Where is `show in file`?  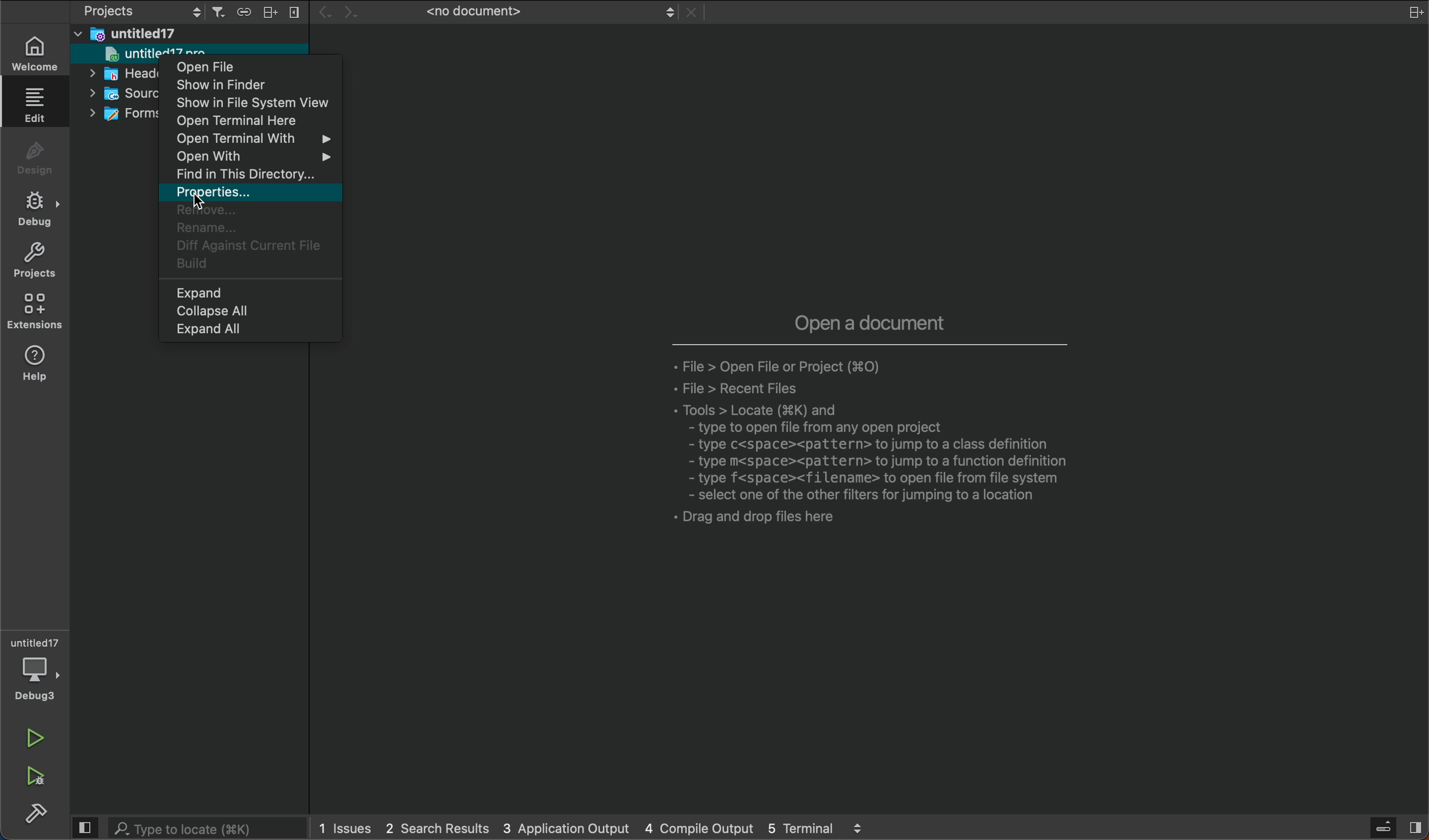 show in file is located at coordinates (257, 103).